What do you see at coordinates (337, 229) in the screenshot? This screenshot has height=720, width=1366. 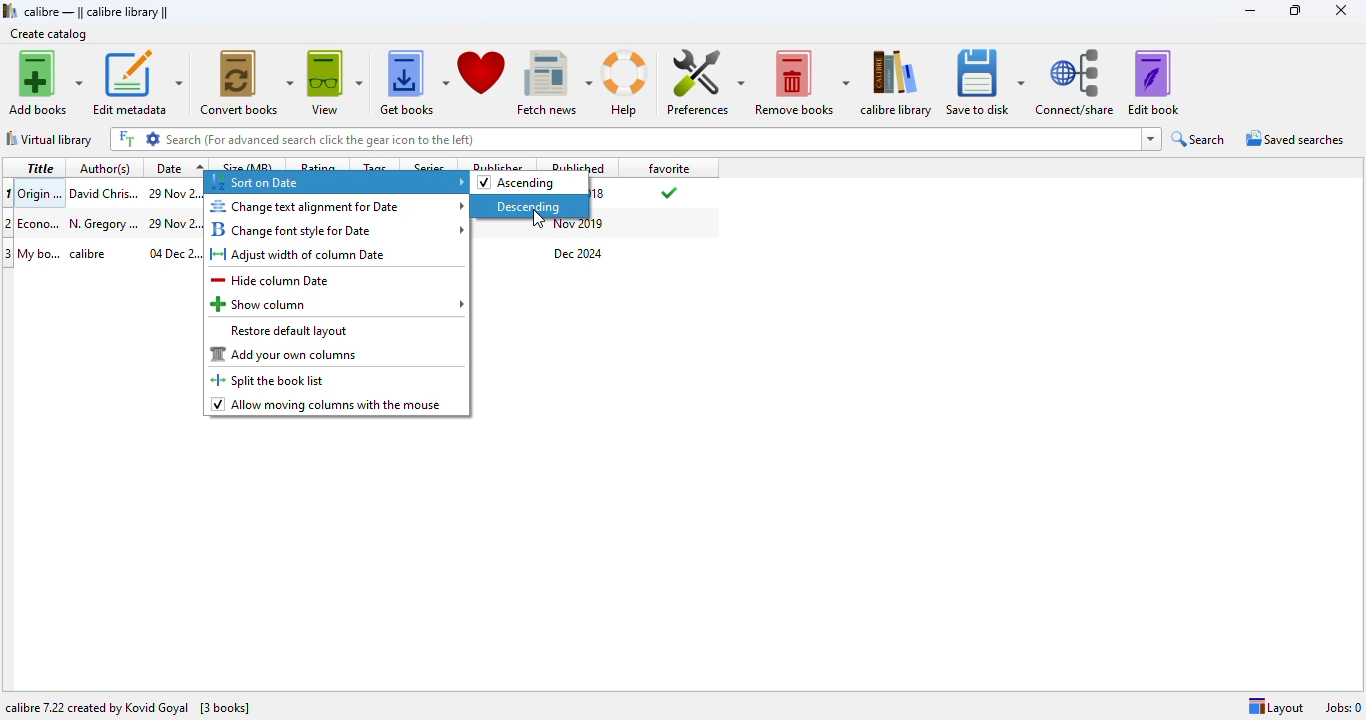 I see `change font style for date` at bounding box center [337, 229].